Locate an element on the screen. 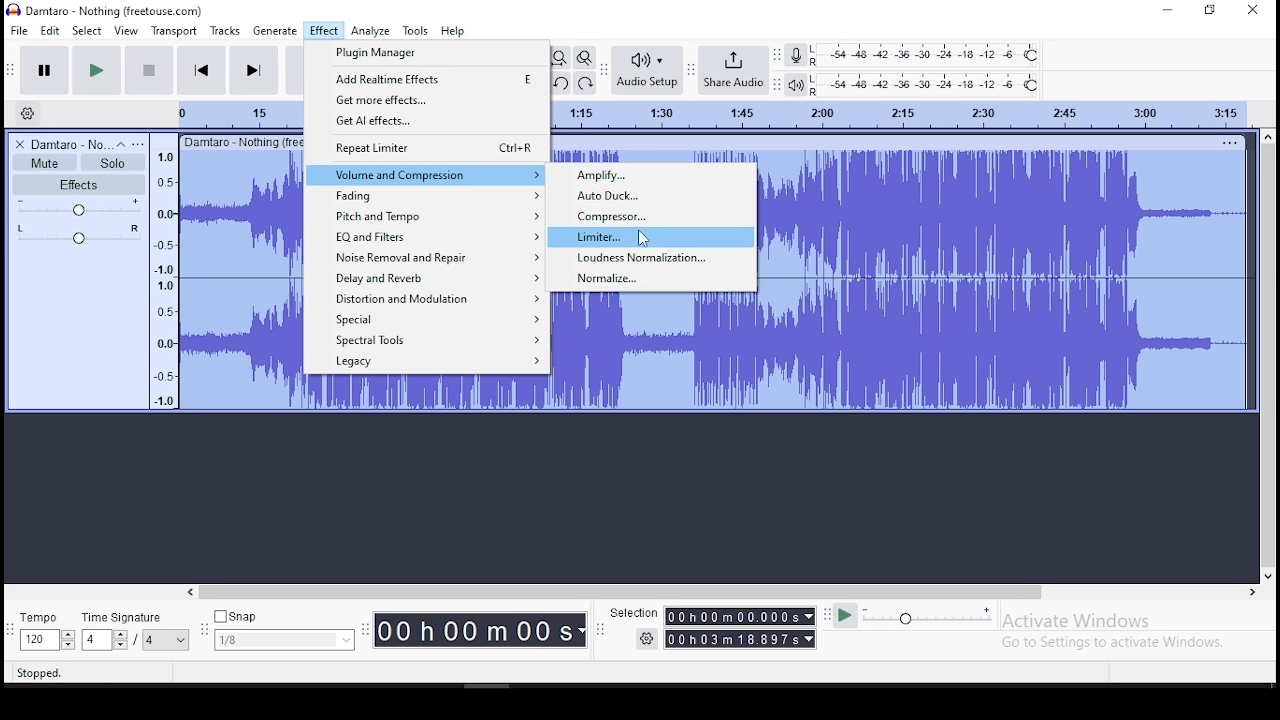 The image size is (1280, 720). add realtime effects is located at coordinates (429, 79).